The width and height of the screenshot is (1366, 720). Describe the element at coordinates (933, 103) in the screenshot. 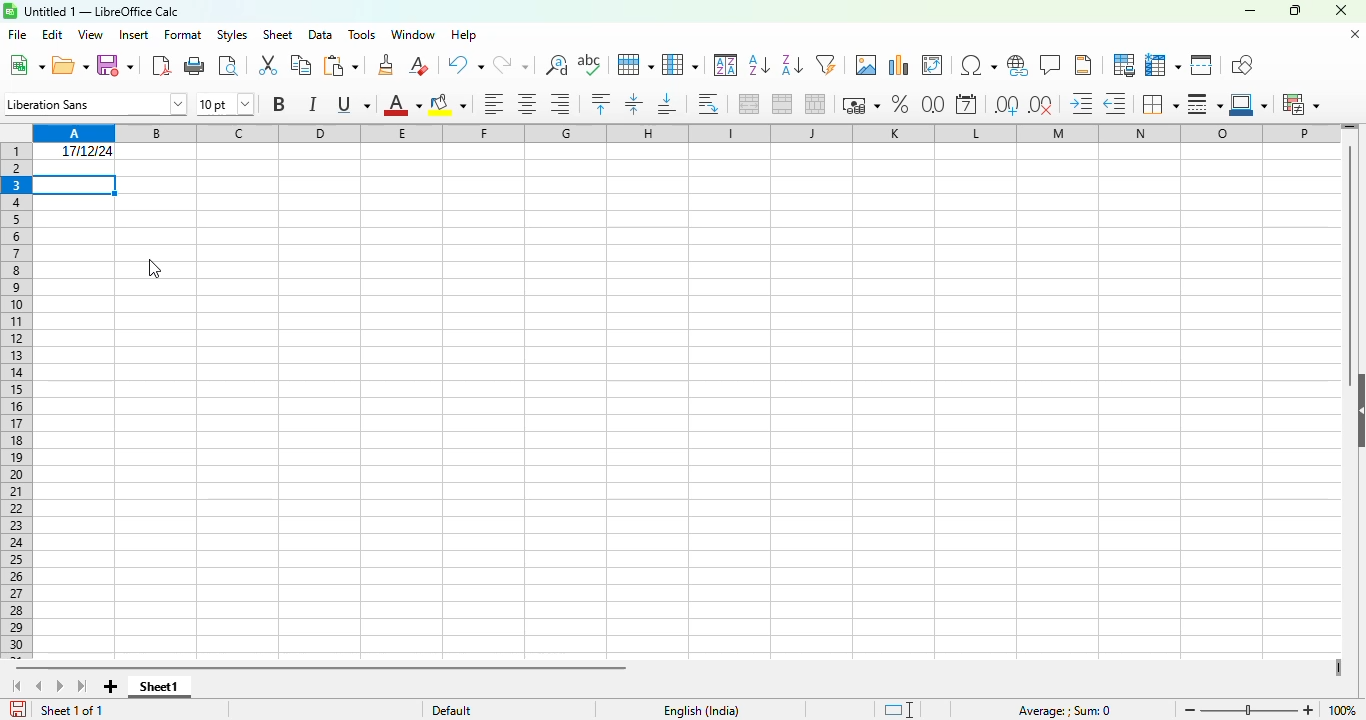

I see `format as number` at that location.